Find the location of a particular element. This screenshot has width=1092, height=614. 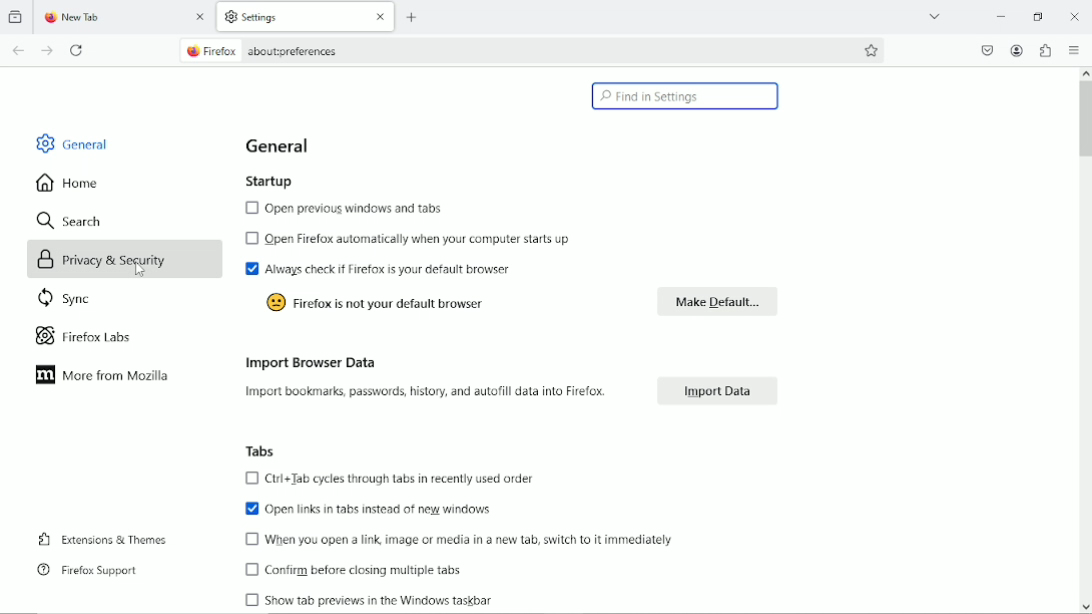

general is located at coordinates (74, 143).